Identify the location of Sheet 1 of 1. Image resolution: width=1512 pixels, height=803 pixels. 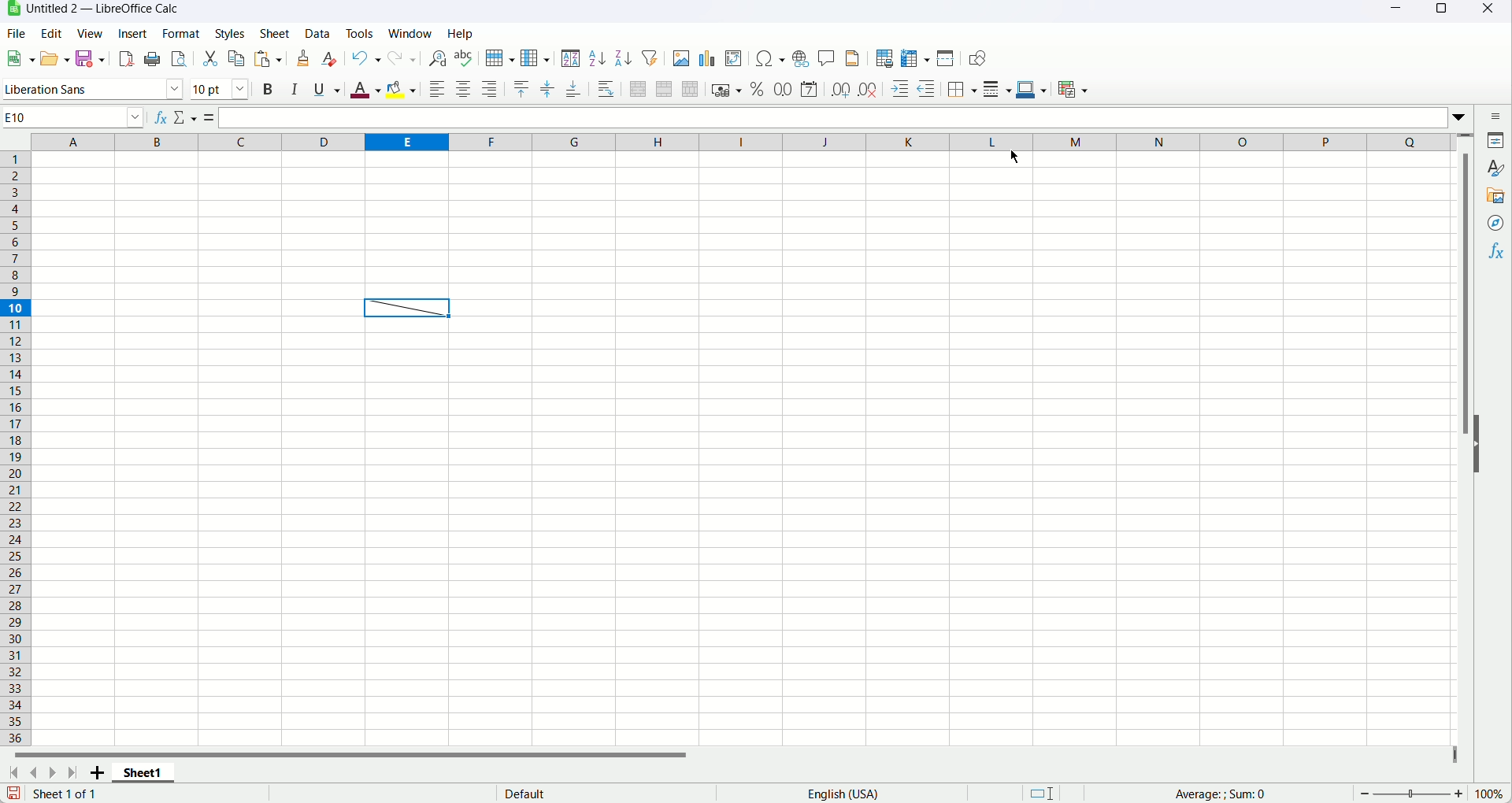
(69, 794).